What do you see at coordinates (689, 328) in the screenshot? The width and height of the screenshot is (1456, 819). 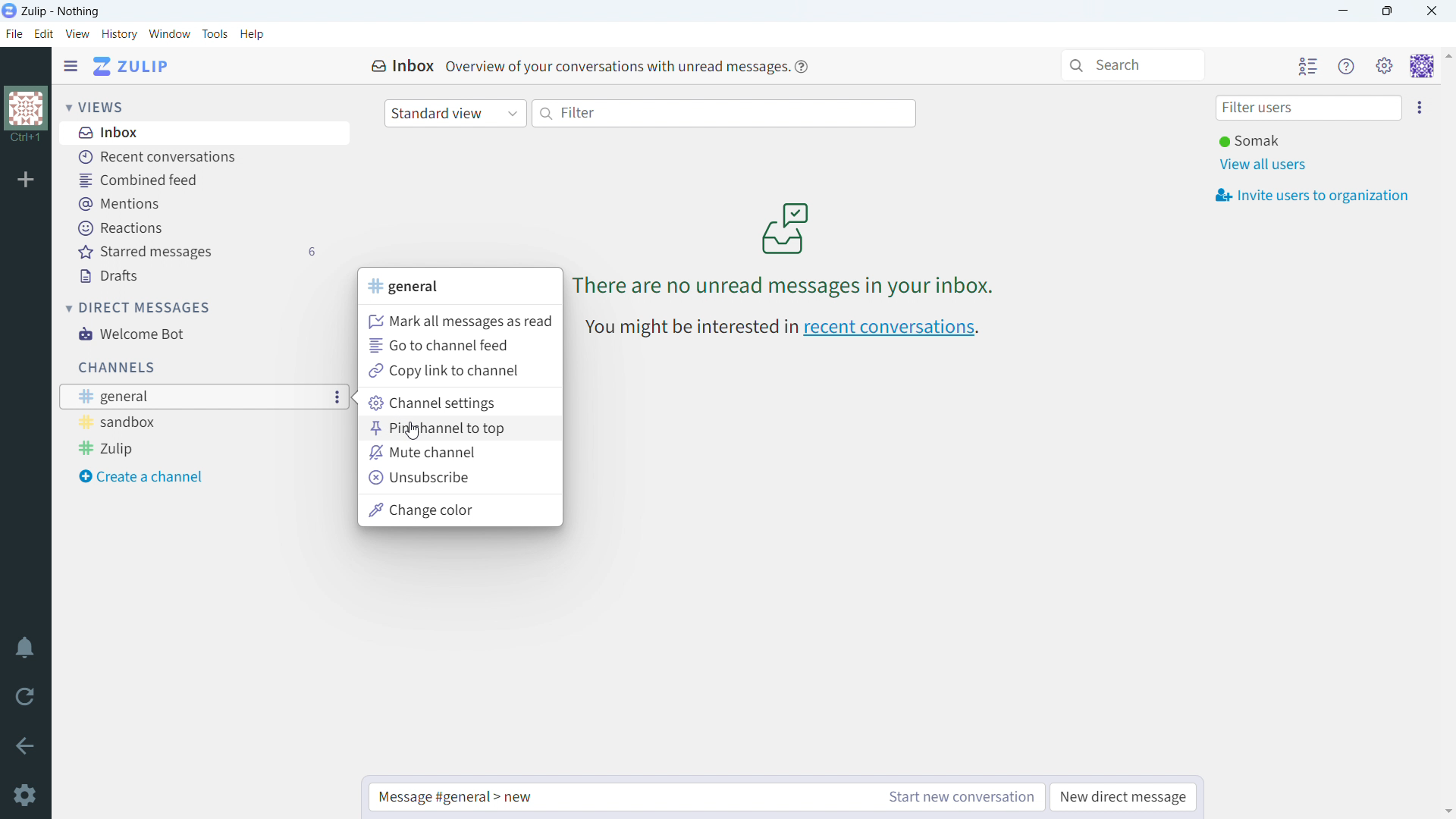 I see `You might be interested in` at bounding box center [689, 328].